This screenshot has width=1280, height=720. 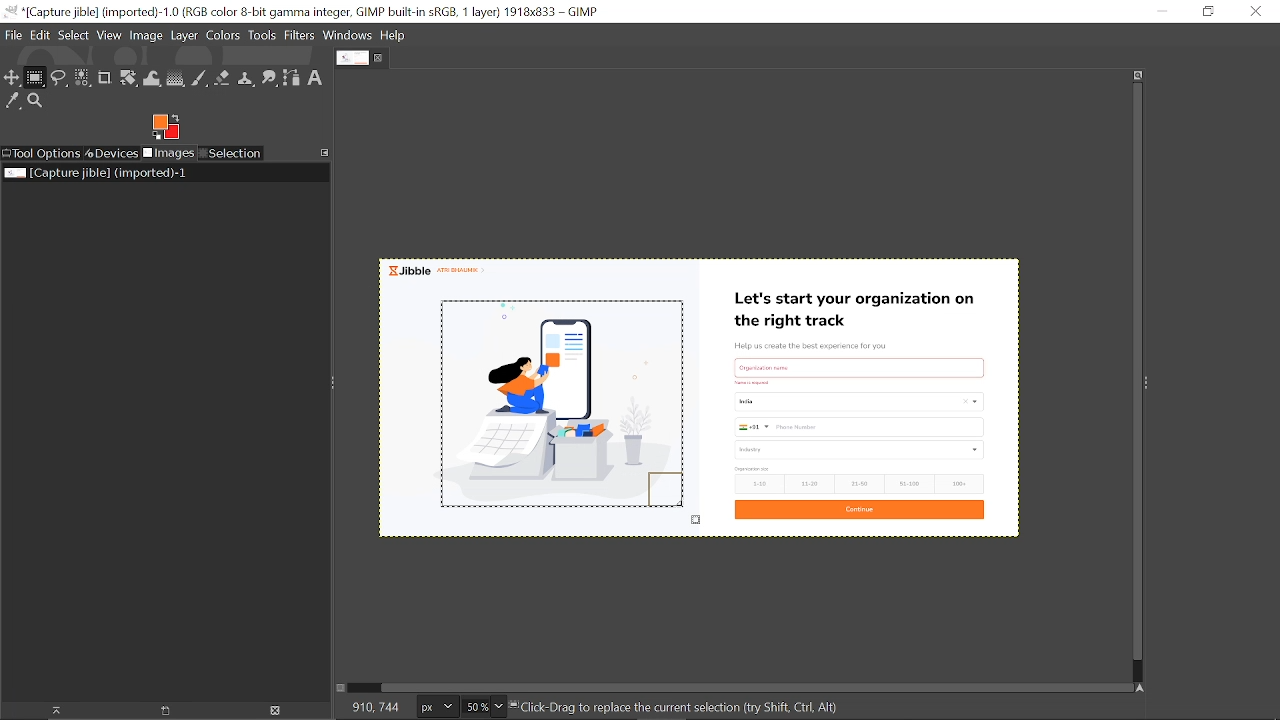 What do you see at coordinates (223, 79) in the screenshot?
I see `Eraser` at bounding box center [223, 79].